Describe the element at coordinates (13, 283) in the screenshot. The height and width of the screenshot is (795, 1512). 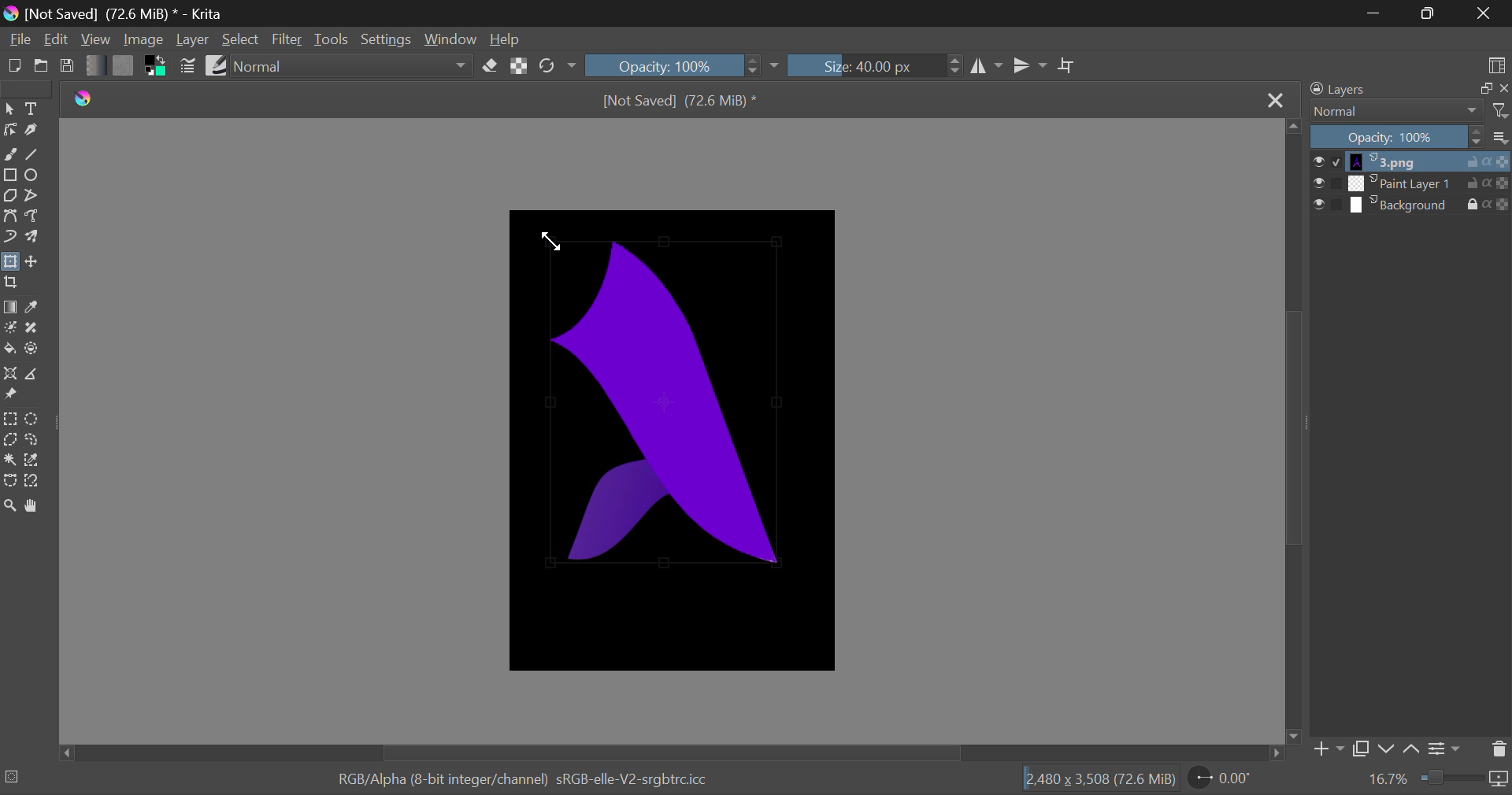
I see `Crop` at that location.